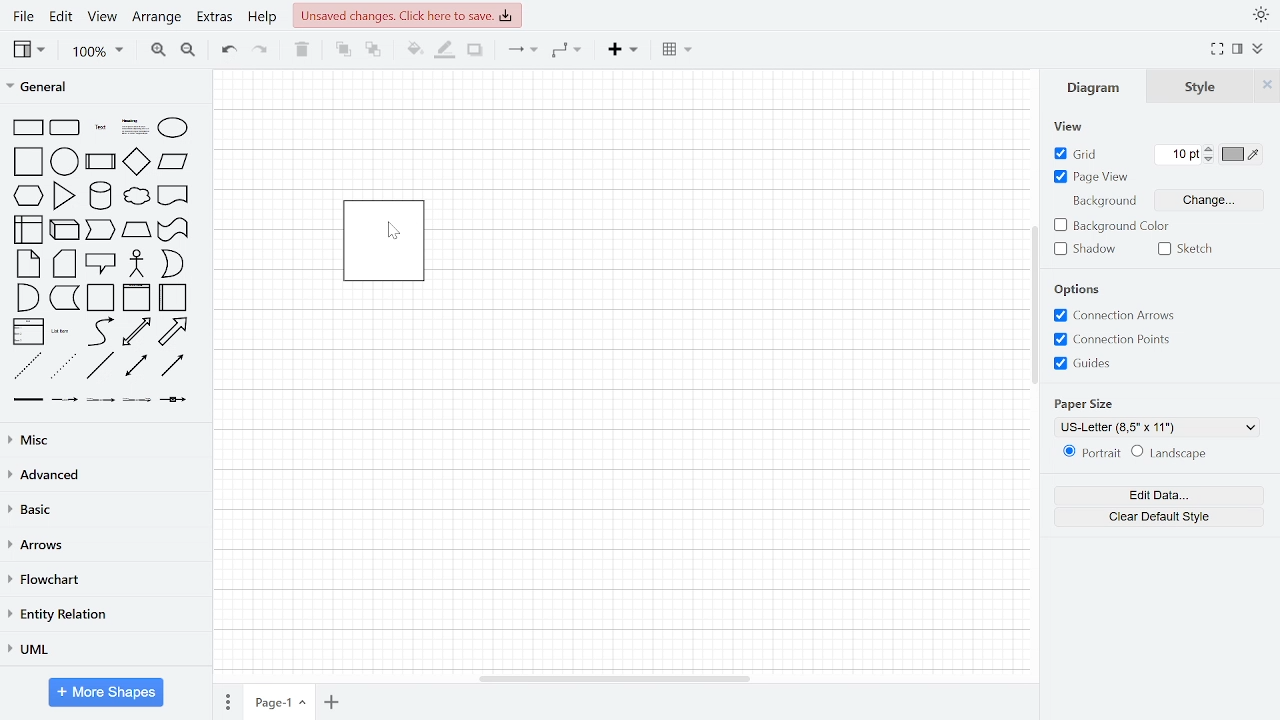 This screenshot has width=1280, height=720. What do you see at coordinates (156, 50) in the screenshot?
I see `zoom in` at bounding box center [156, 50].